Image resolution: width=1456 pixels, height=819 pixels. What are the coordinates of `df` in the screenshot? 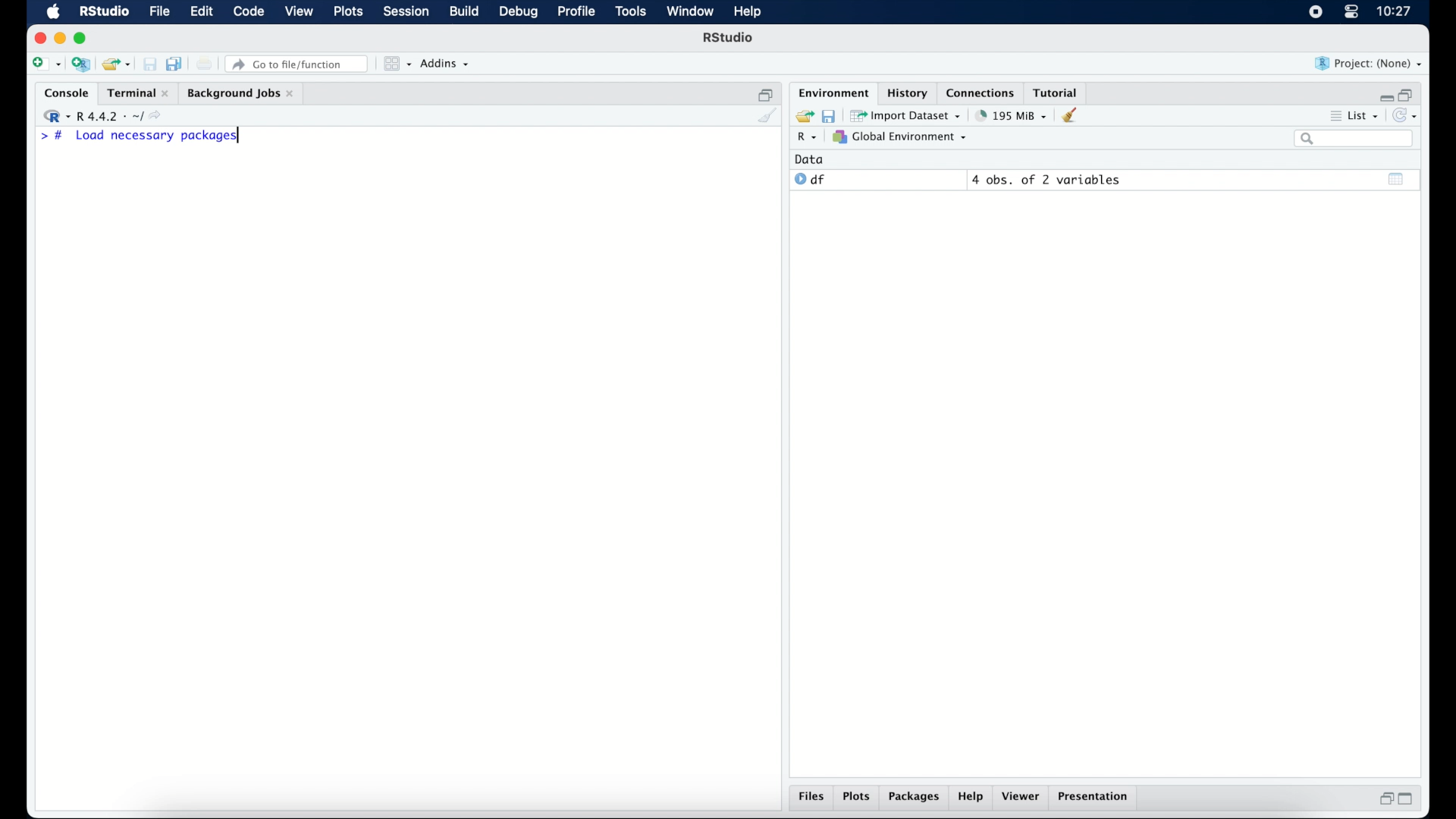 It's located at (810, 180).